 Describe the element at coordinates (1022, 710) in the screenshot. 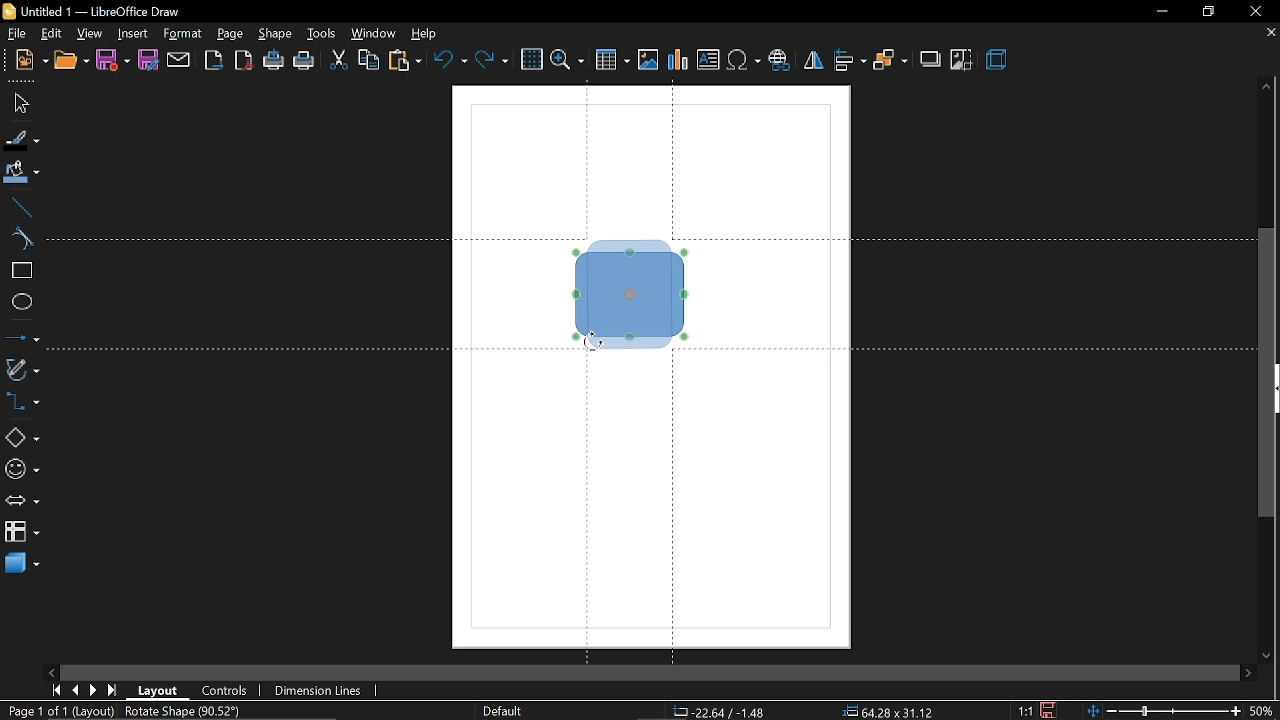

I see `scaling factor` at that location.